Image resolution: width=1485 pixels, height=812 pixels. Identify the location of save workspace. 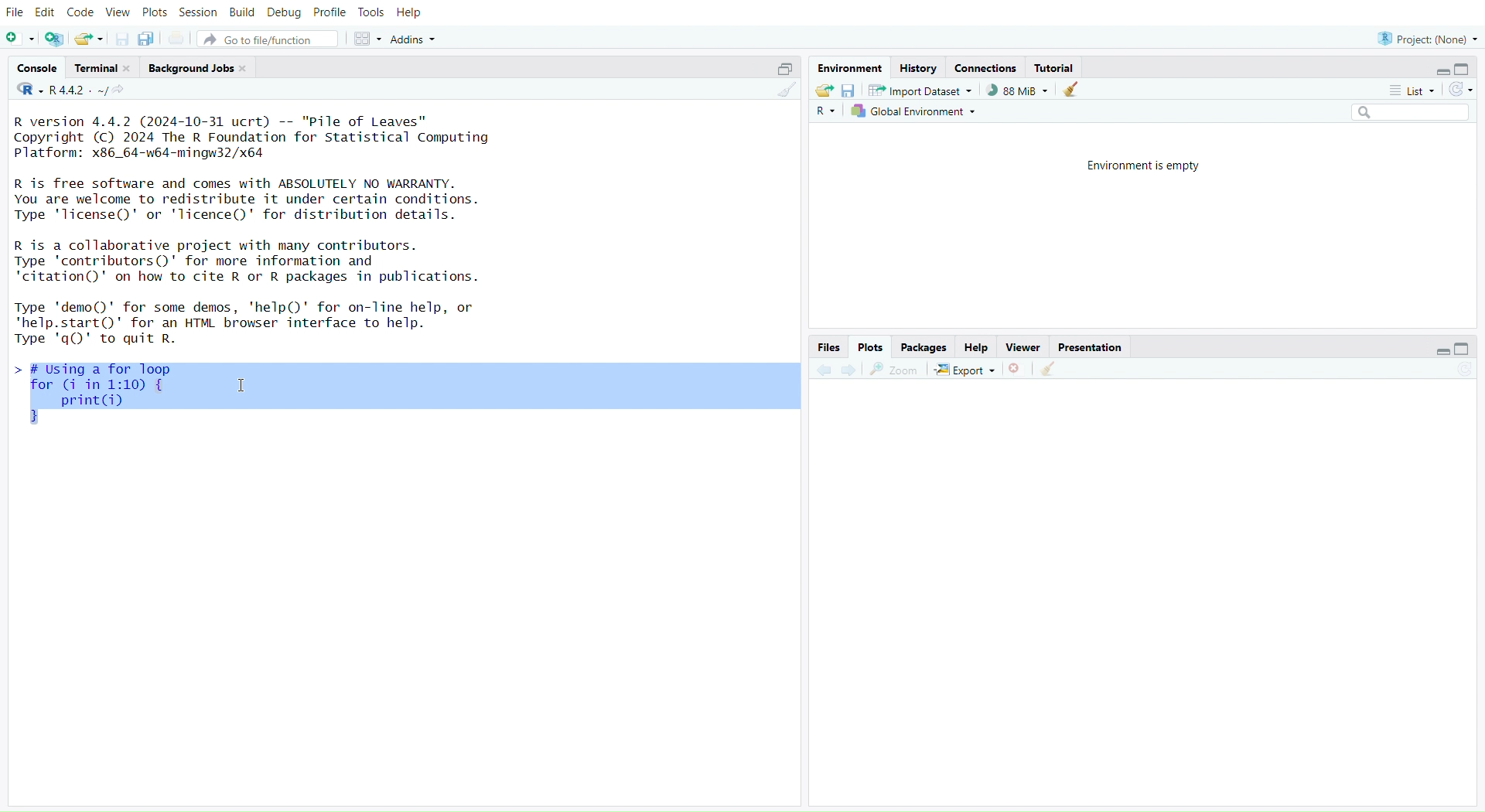
(851, 91).